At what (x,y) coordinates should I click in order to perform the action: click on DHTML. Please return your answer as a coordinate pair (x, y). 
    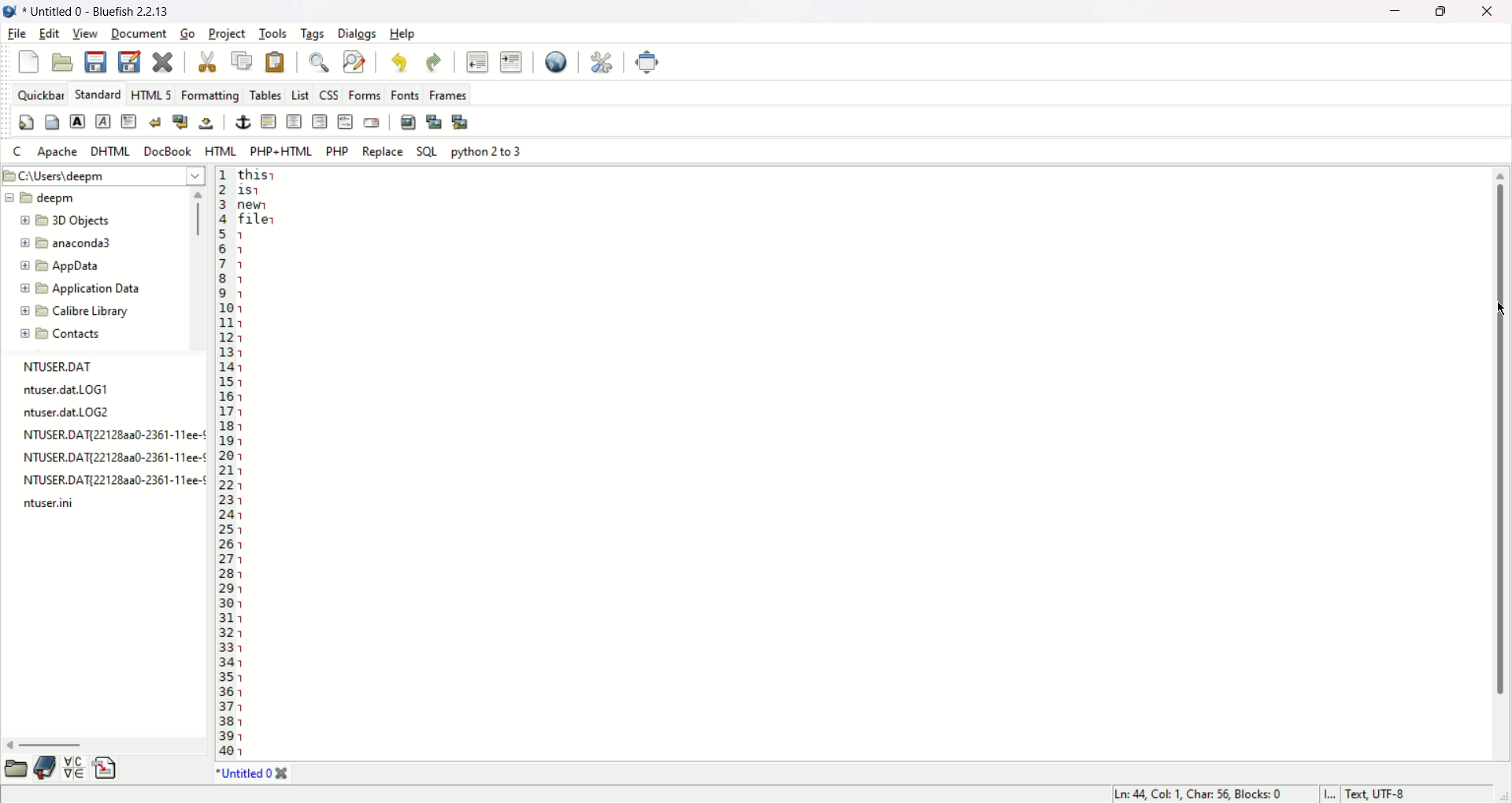
    Looking at the image, I should click on (109, 150).